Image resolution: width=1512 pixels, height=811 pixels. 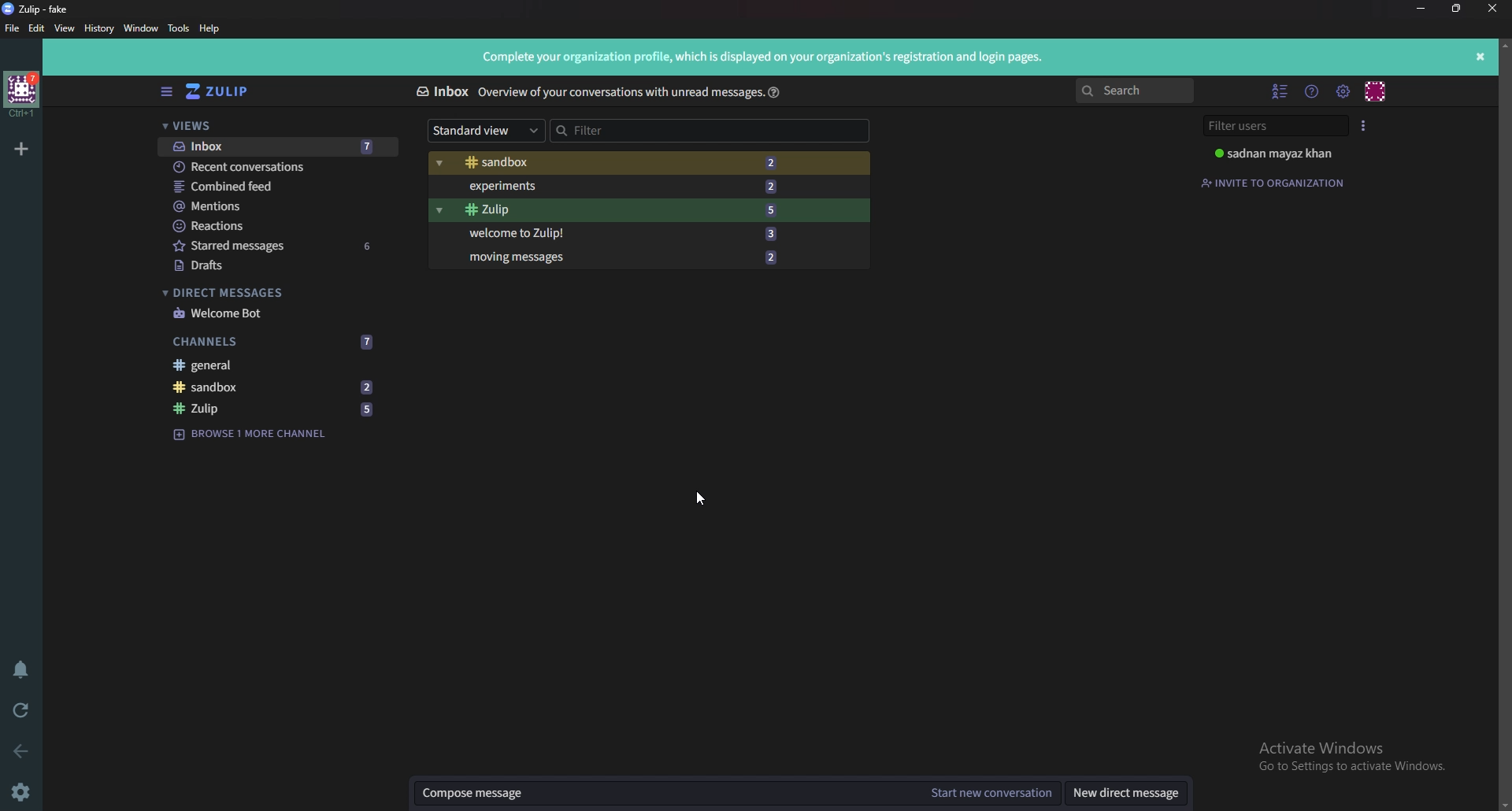 What do you see at coordinates (491, 131) in the screenshot?
I see `Standard view` at bounding box center [491, 131].